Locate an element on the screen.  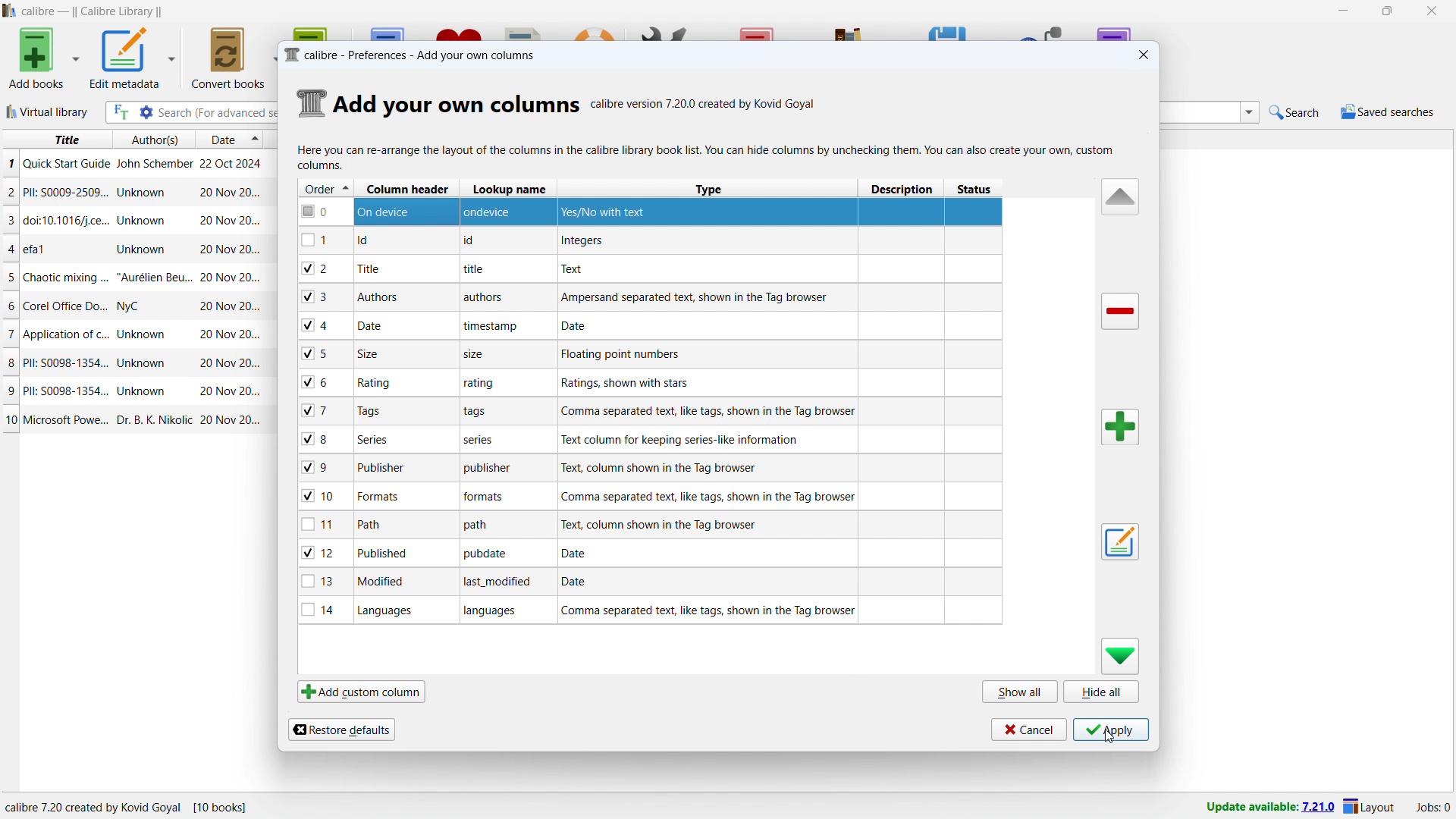
edit column settings is located at coordinates (1119, 541).